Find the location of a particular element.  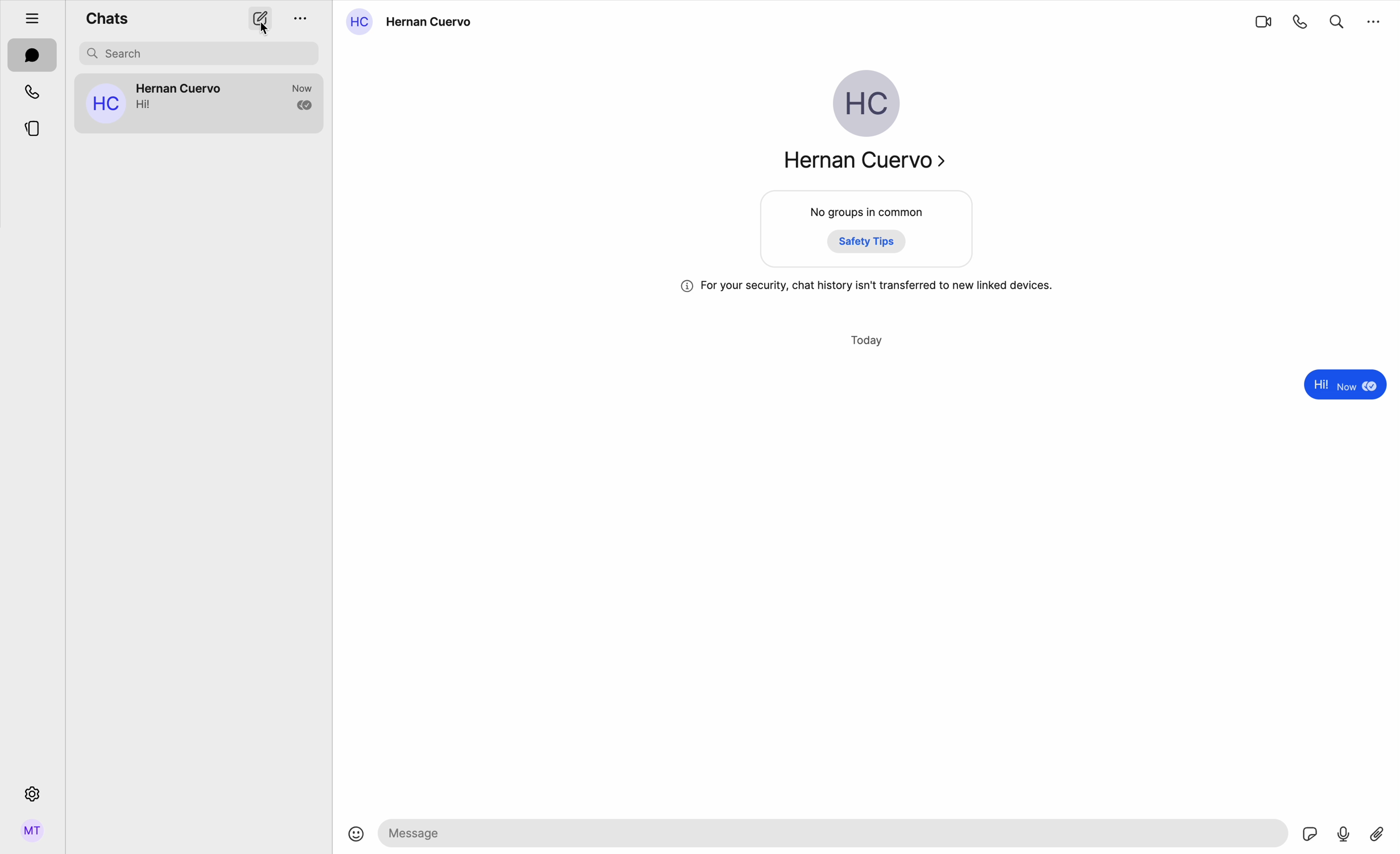

space to write is located at coordinates (836, 832).